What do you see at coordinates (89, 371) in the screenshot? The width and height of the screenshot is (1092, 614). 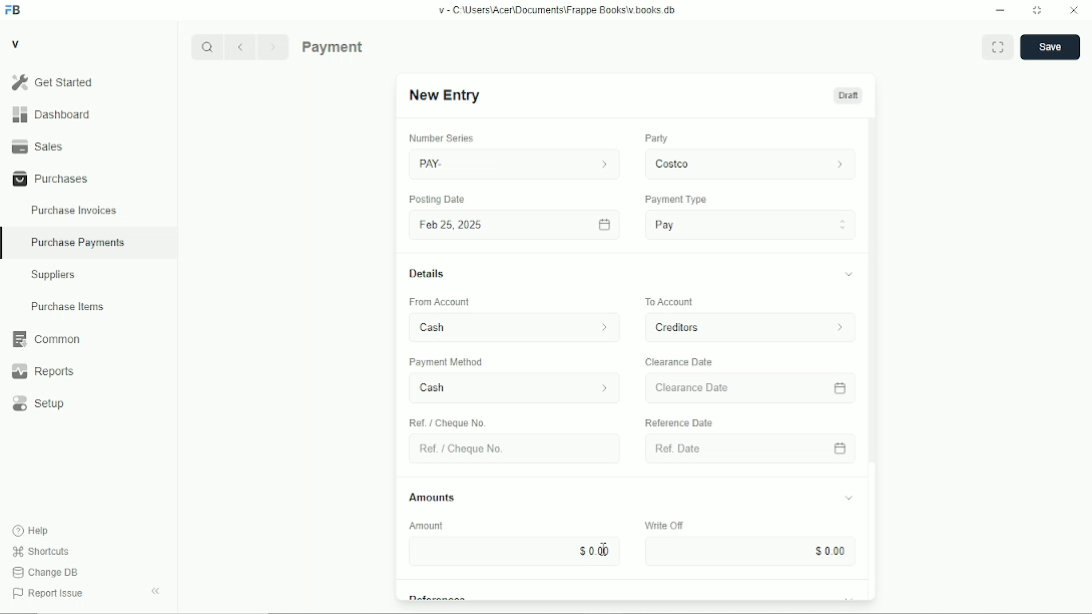 I see `Reports` at bounding box center [89, 371].